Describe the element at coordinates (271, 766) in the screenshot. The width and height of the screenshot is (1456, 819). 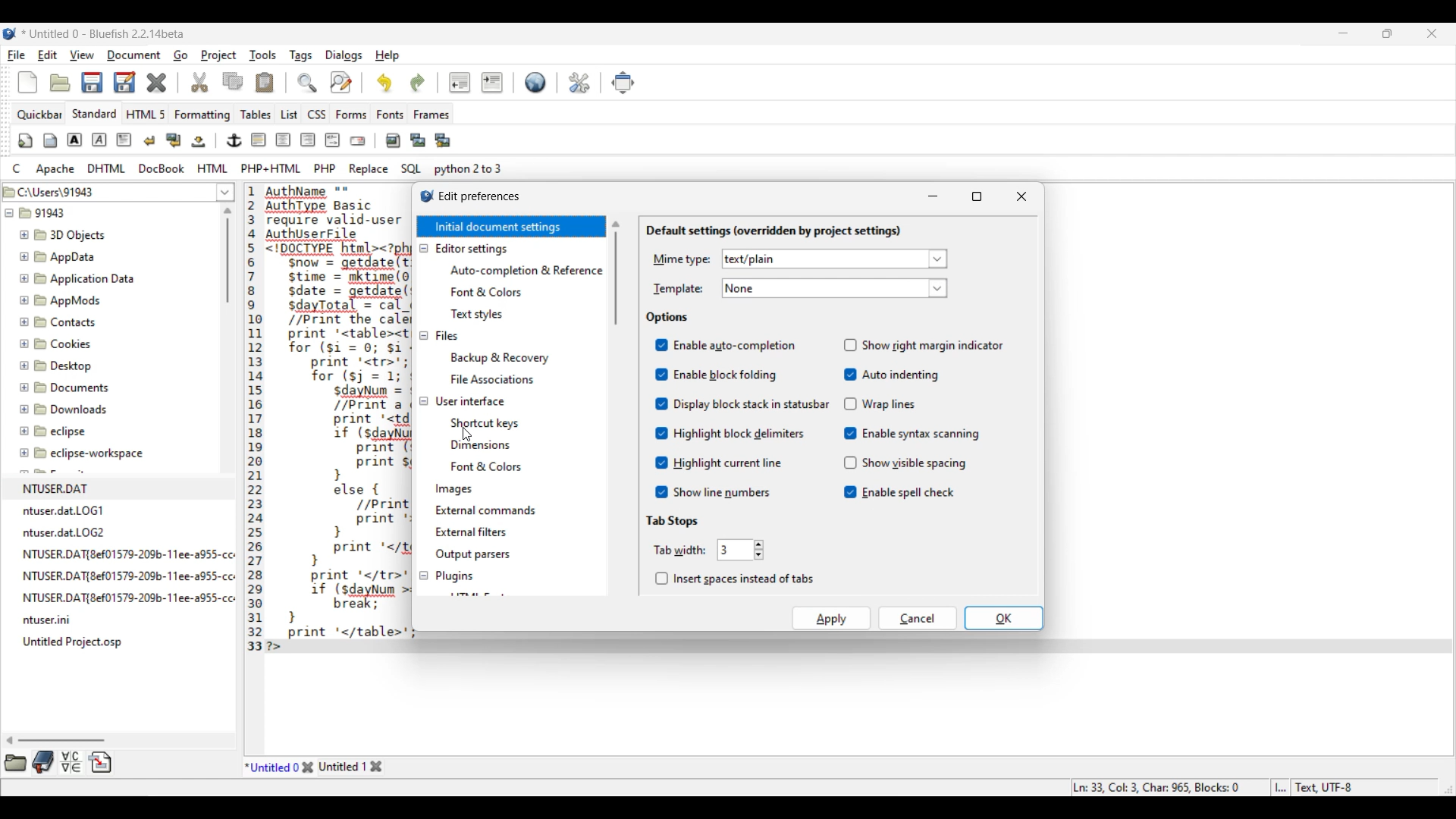
I see `Current tab` at that location.